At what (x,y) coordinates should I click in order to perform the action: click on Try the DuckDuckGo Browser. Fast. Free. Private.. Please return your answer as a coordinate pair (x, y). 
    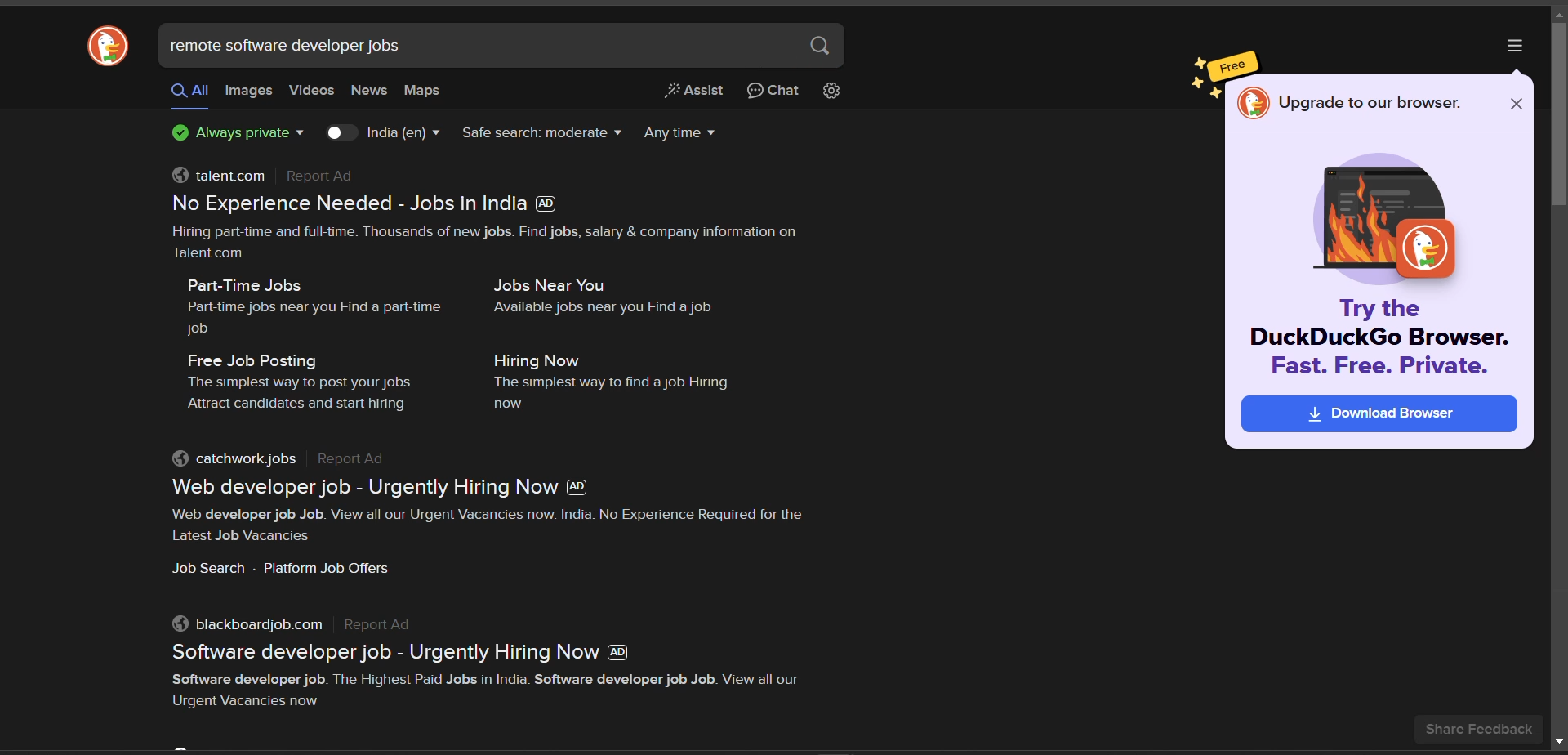
    Looking at the image, I should click on (1377, 340).